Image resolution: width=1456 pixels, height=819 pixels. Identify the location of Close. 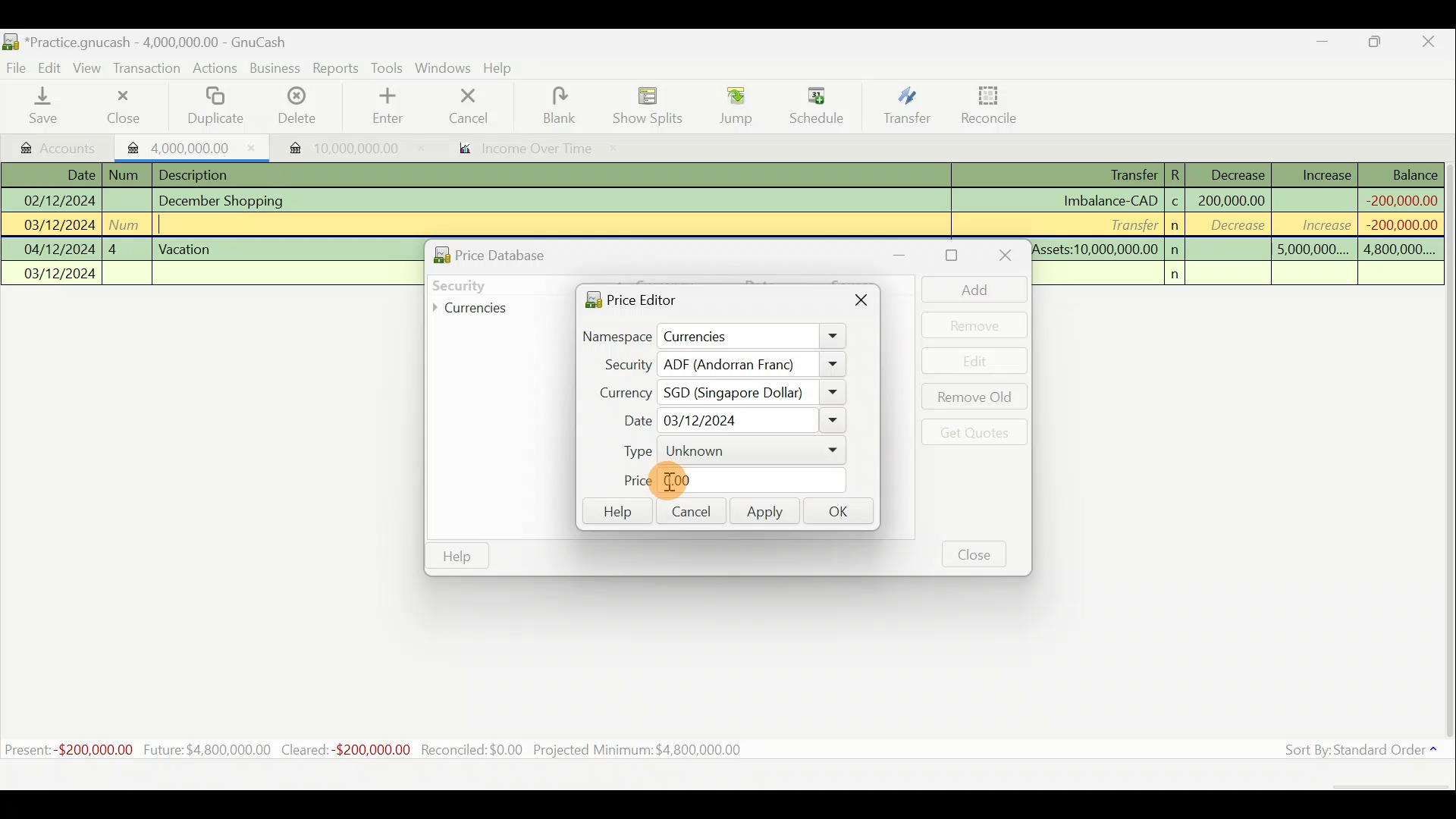
(1003, 257).